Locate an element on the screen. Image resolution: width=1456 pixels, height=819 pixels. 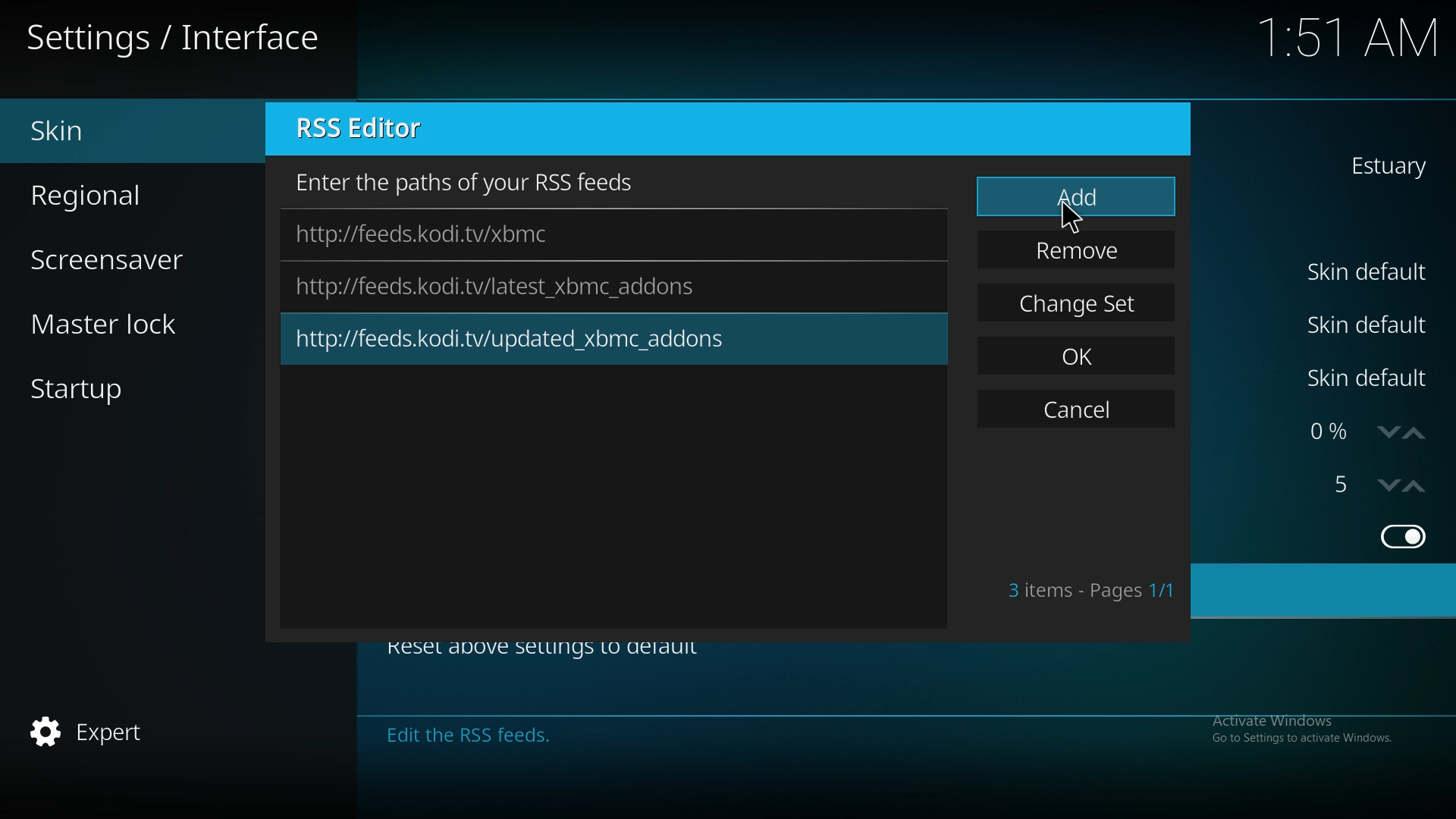
increase zoom is located at coordinates (1420, 433).